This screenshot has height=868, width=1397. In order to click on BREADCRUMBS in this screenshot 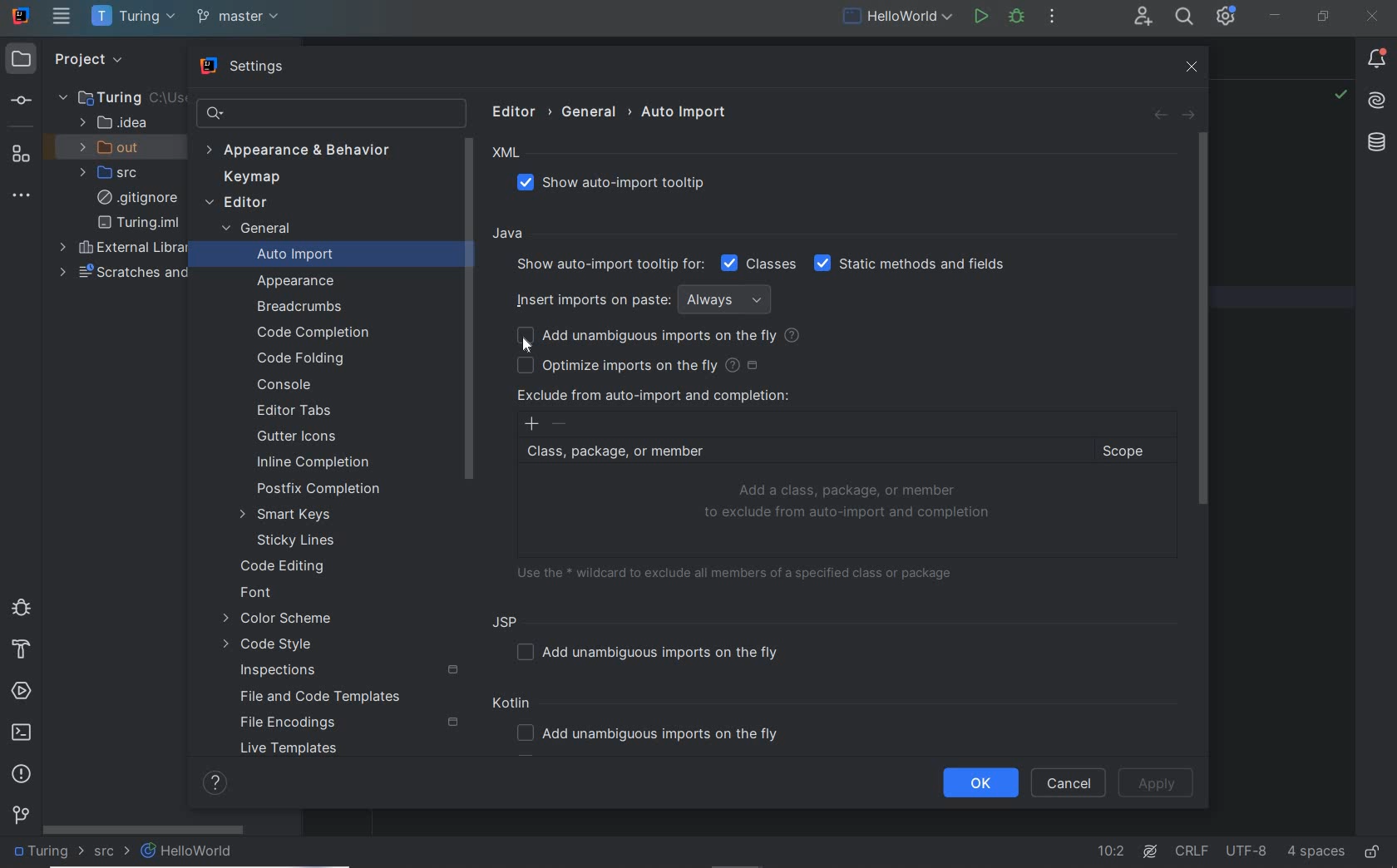, I will do `click(303, 308)`.